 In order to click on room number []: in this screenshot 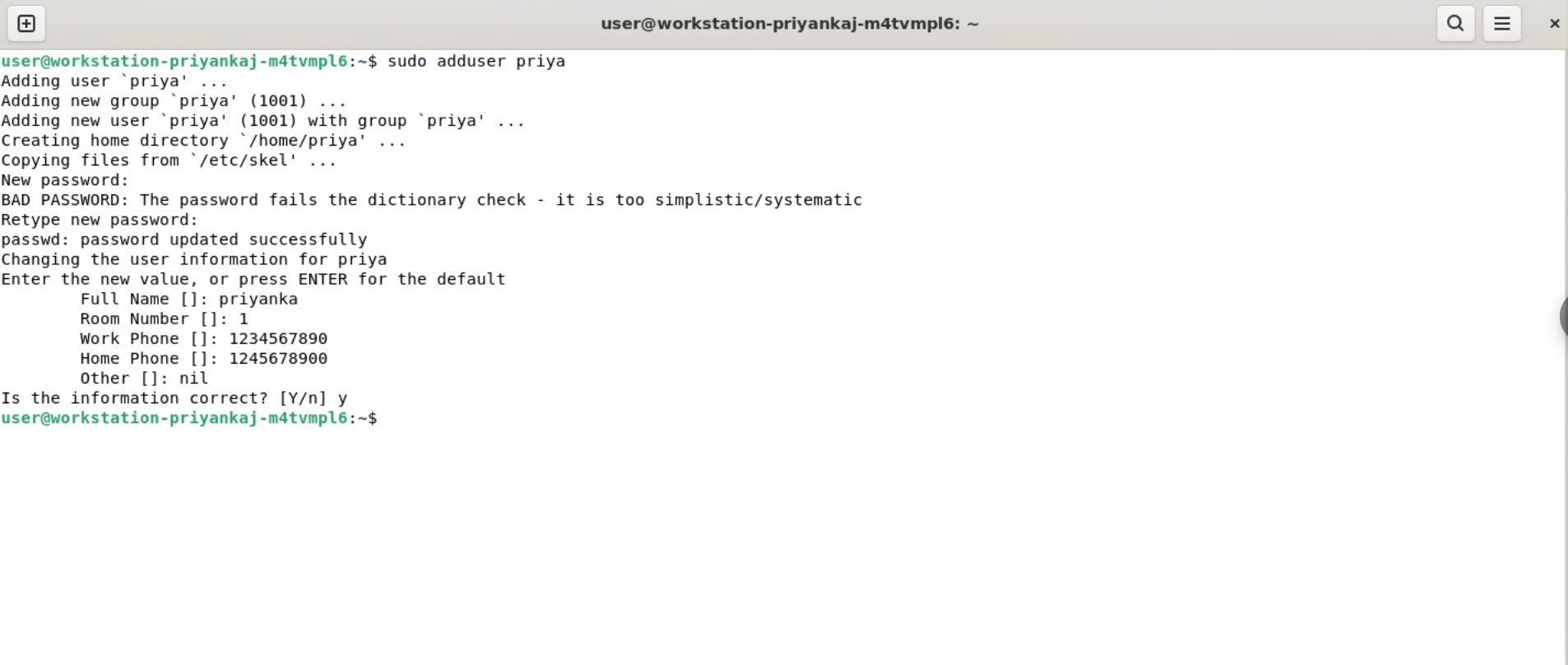, I will do `click(150, 321)`.